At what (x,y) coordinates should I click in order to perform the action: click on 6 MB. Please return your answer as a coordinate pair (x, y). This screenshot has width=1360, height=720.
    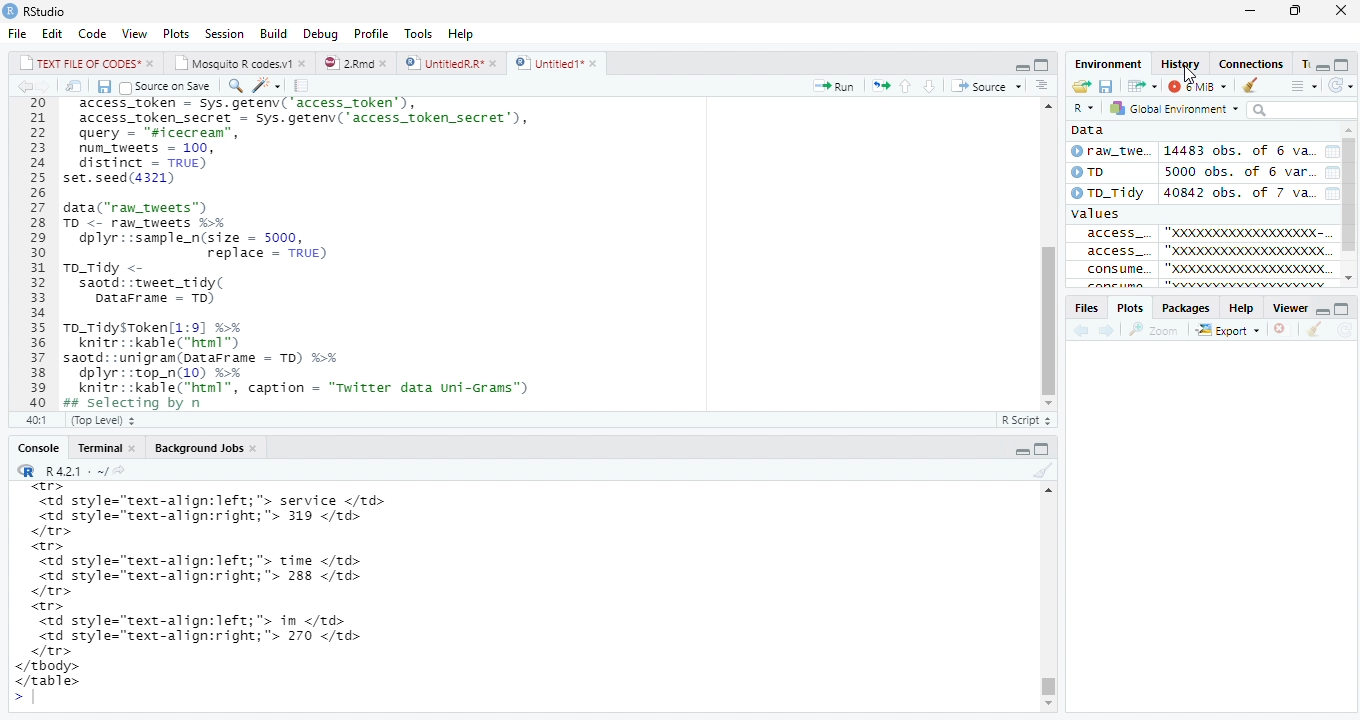
    Looking at the image, I should click on (1196, 85).